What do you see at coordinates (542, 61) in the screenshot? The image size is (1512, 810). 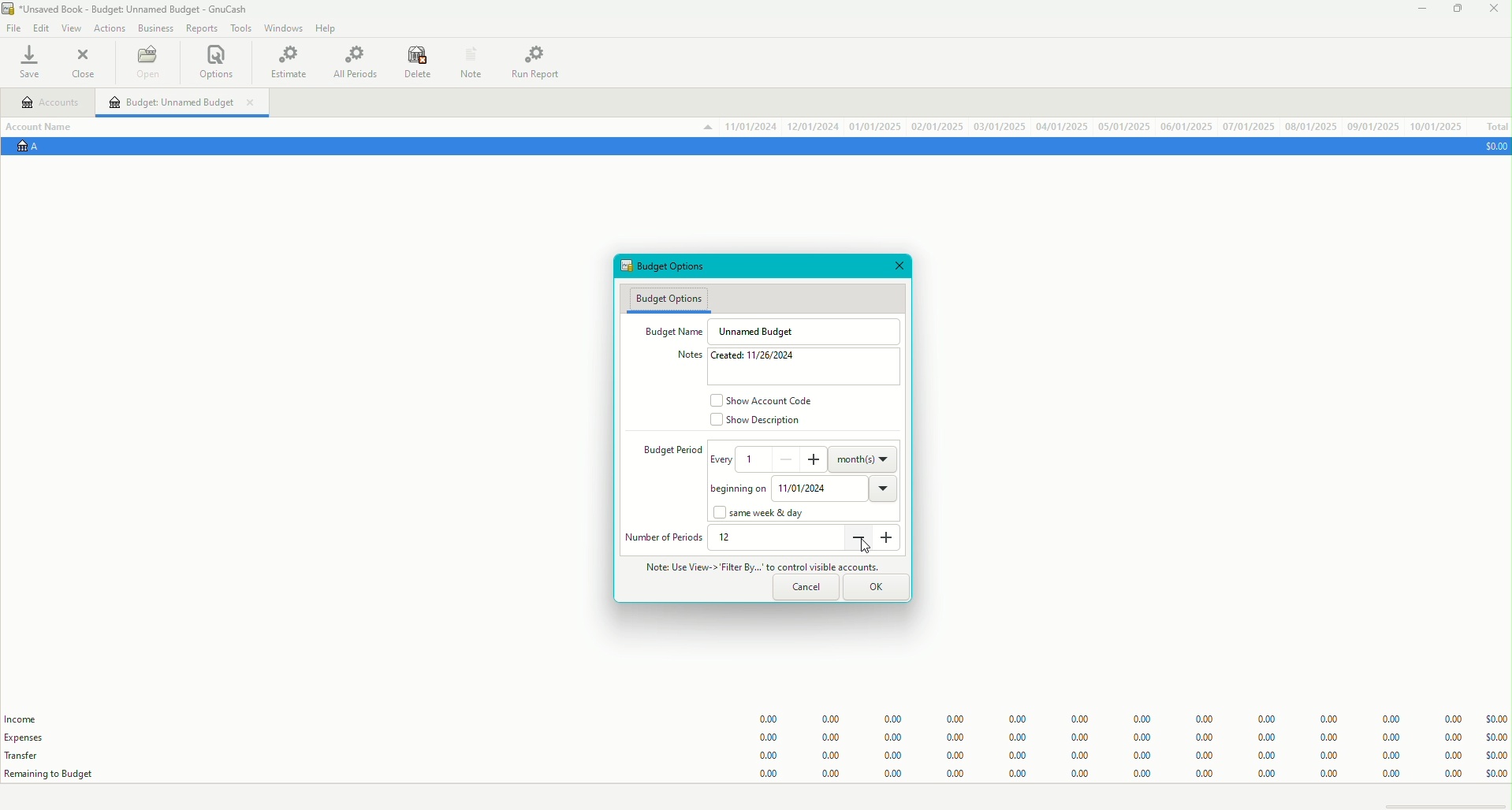 I see `Run Report` at bounding box center [542, 61].